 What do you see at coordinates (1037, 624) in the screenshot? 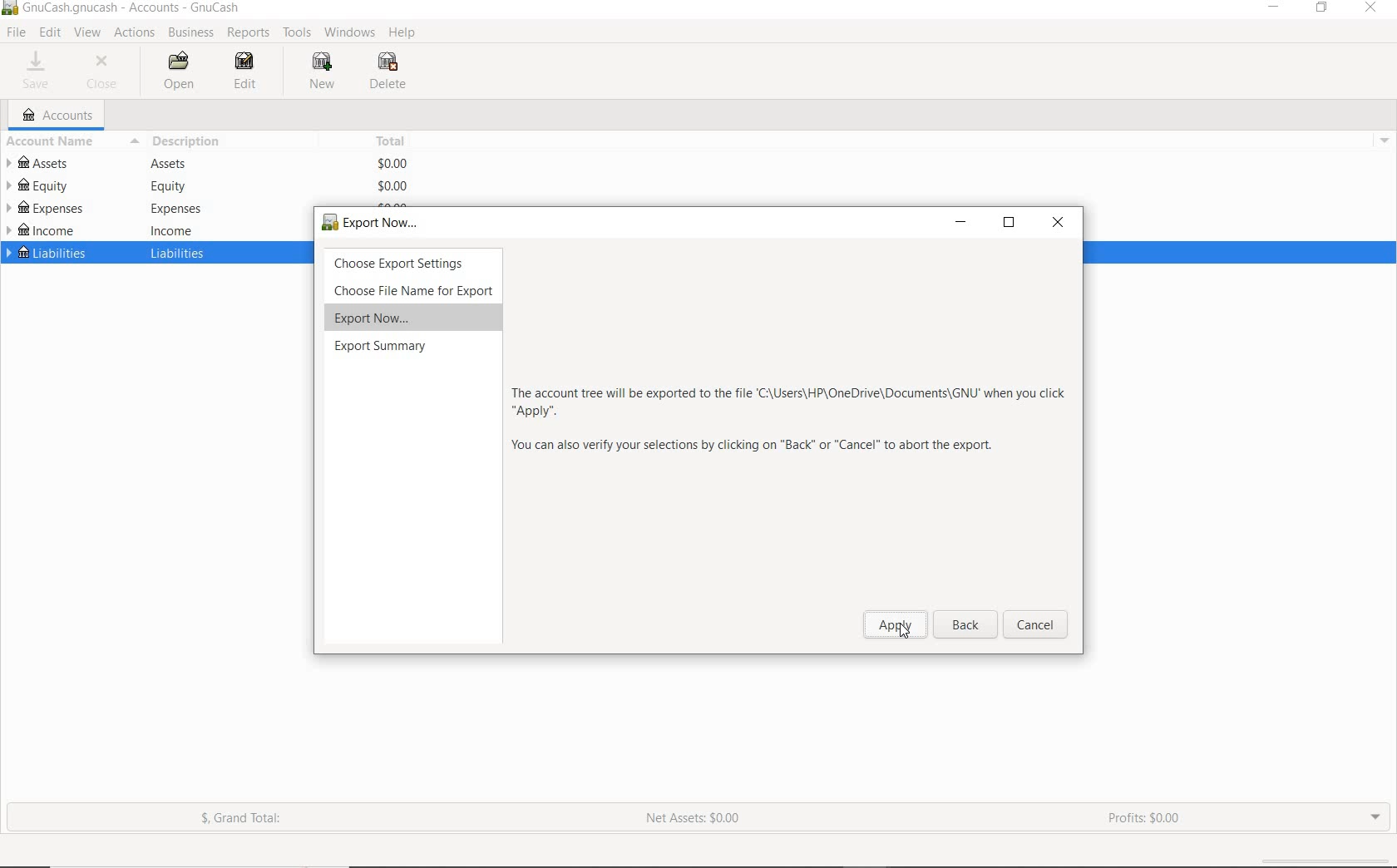
I see `Cancel` at bounding box center [1037, 624].